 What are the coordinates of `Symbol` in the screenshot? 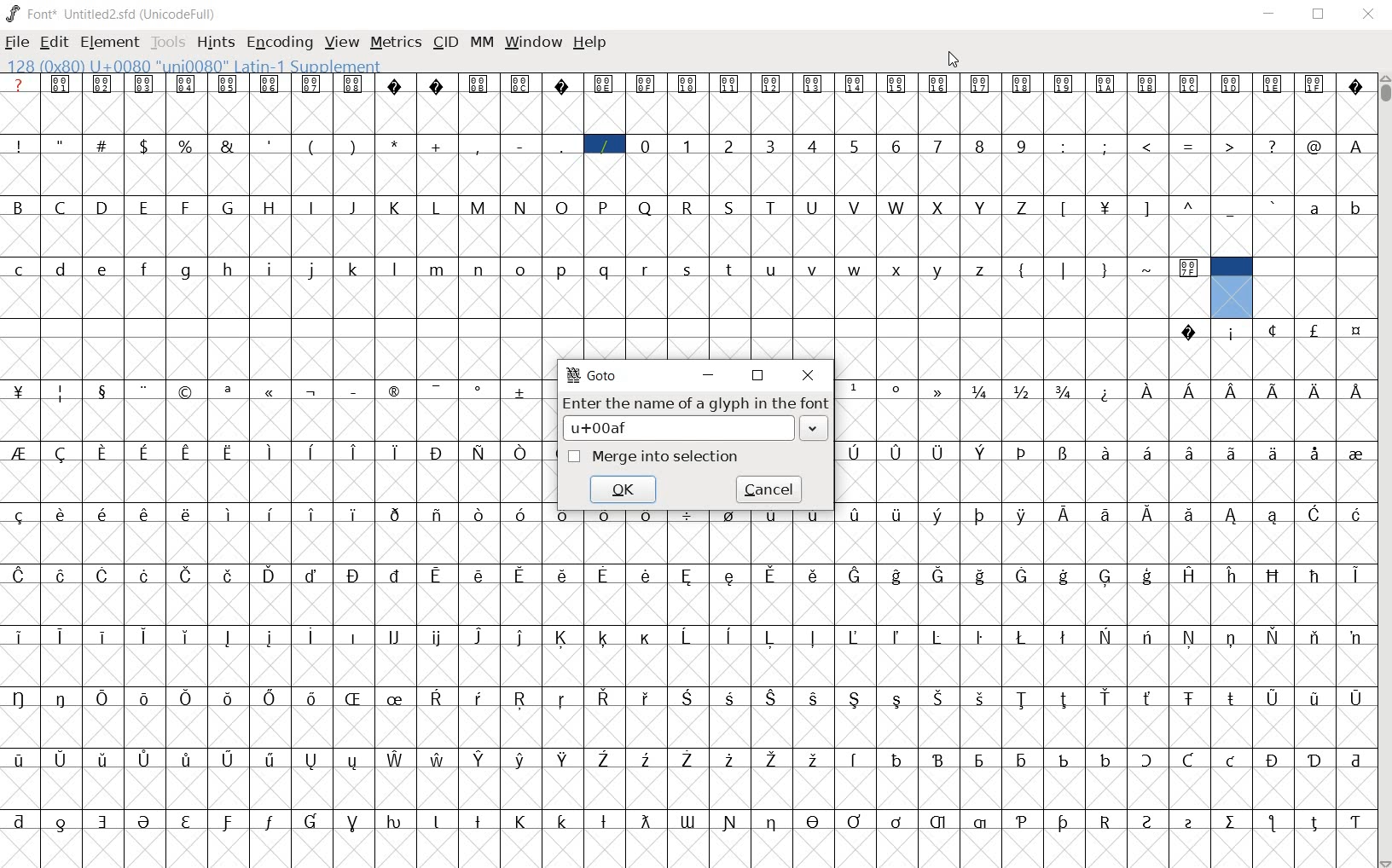 It's located at (1354, 756).